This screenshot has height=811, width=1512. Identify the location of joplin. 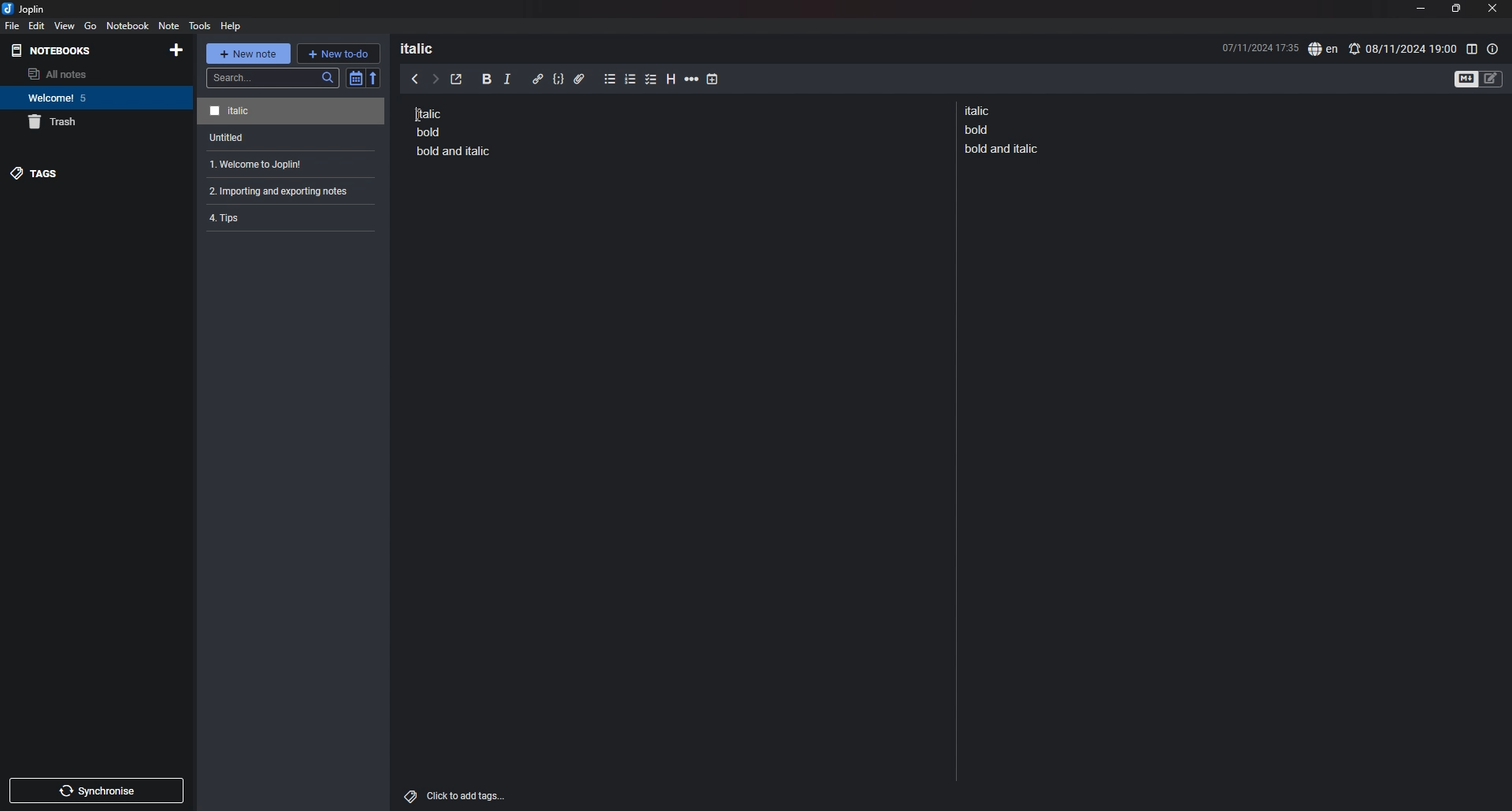
(24, 9).